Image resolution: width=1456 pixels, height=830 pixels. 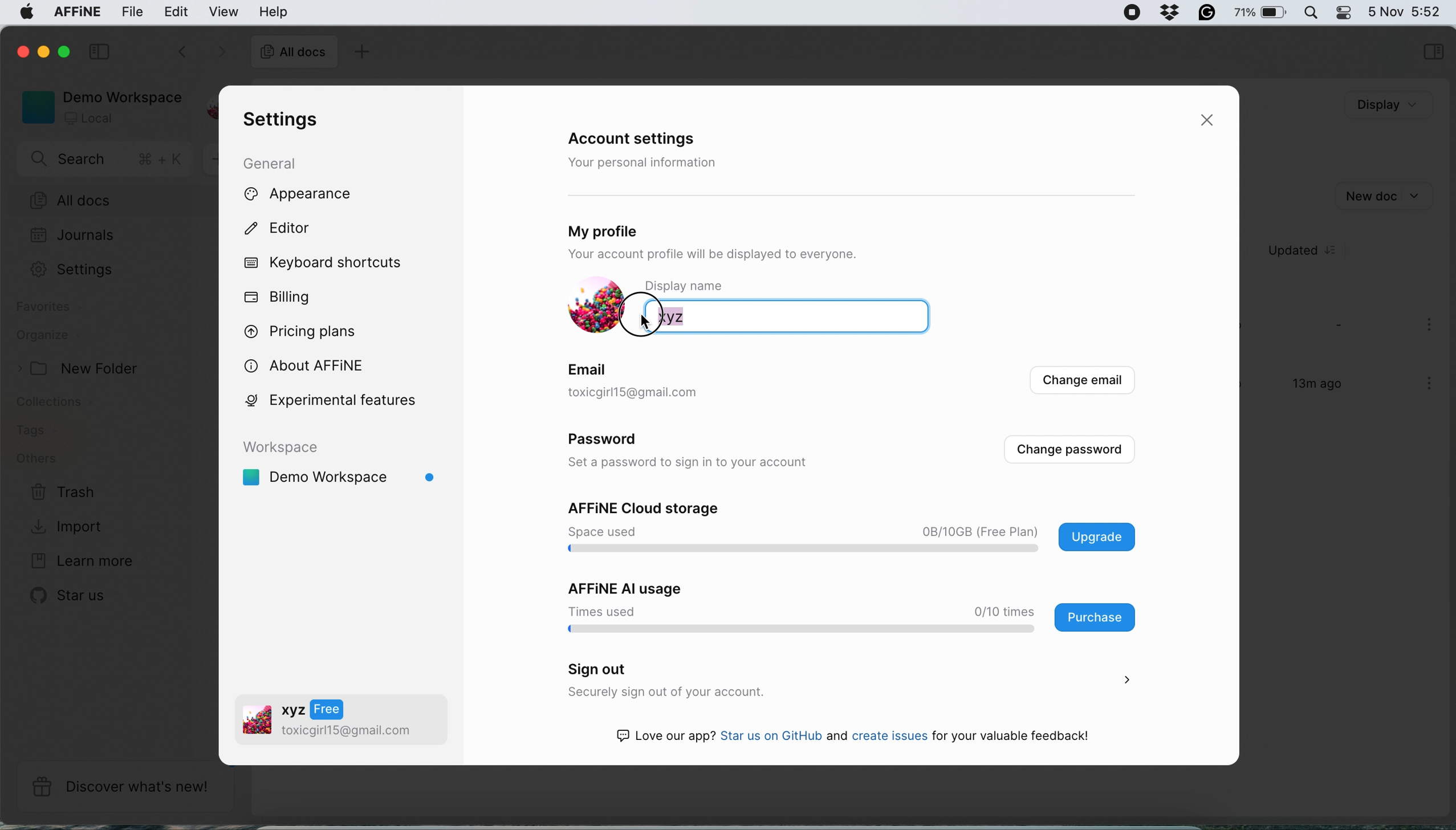 What do you see at coordinates (610, 442) in the screenshot?
I see `password` at bounding box center [610, 442].